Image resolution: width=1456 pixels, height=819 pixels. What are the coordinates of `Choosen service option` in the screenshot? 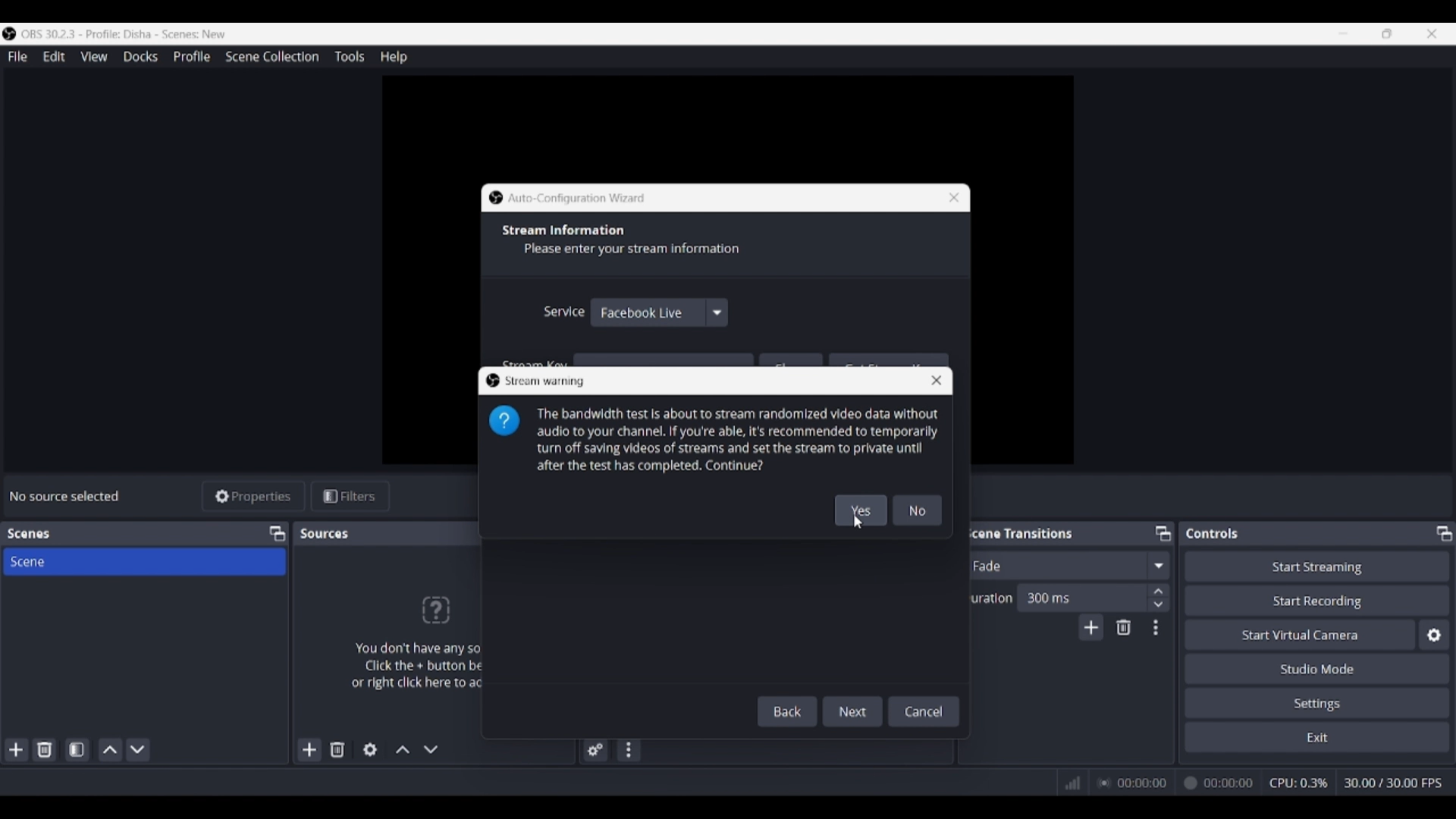 It's located at (642, 312).